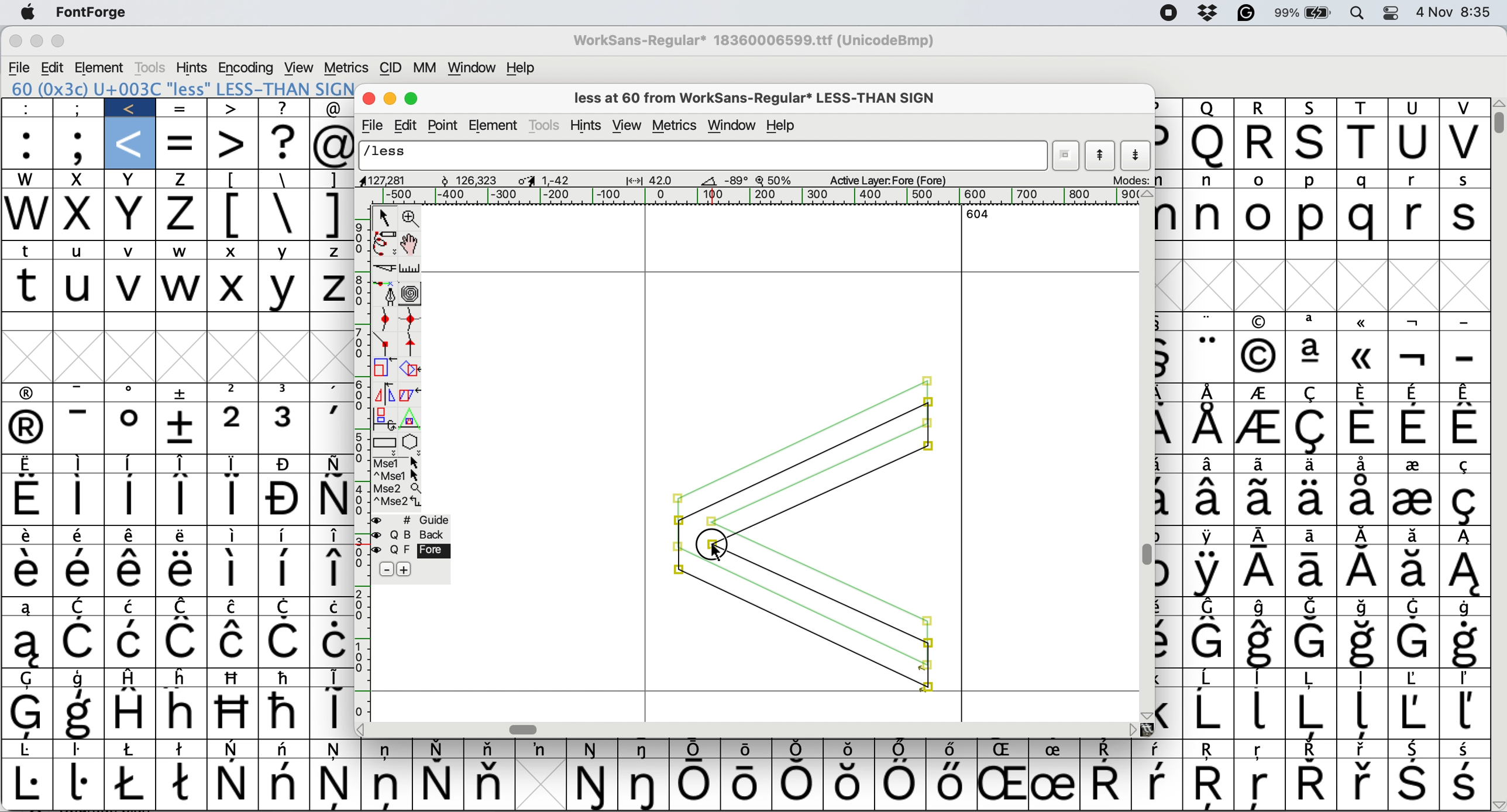 This screenshot has height=812, width=1507. I want to click on r, so click(1261, 108).